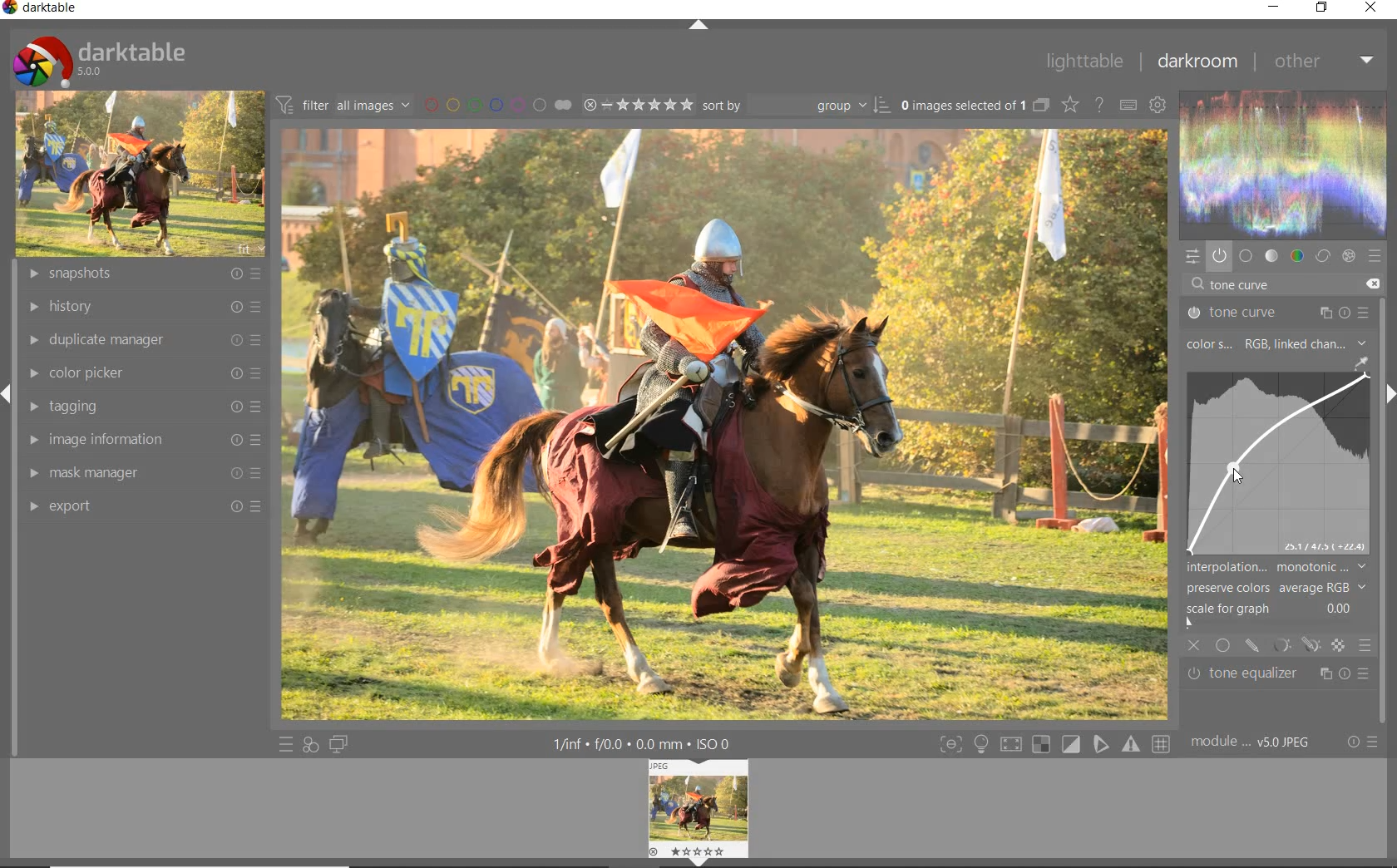 This screenshot has height=868, width=1397. I want to click on lighttable, so click(1084, 62).